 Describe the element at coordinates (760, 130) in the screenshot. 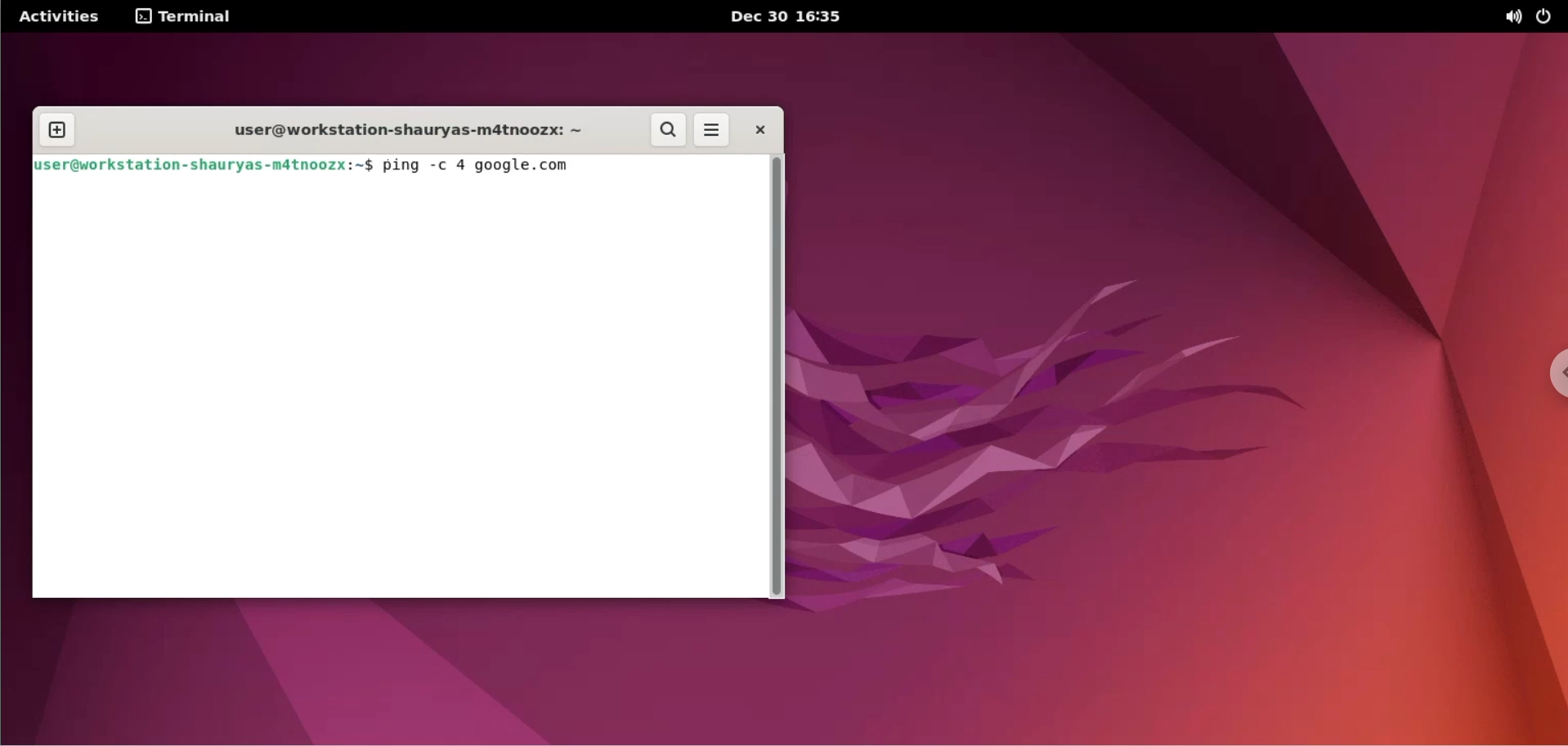

I see `close` at that location.